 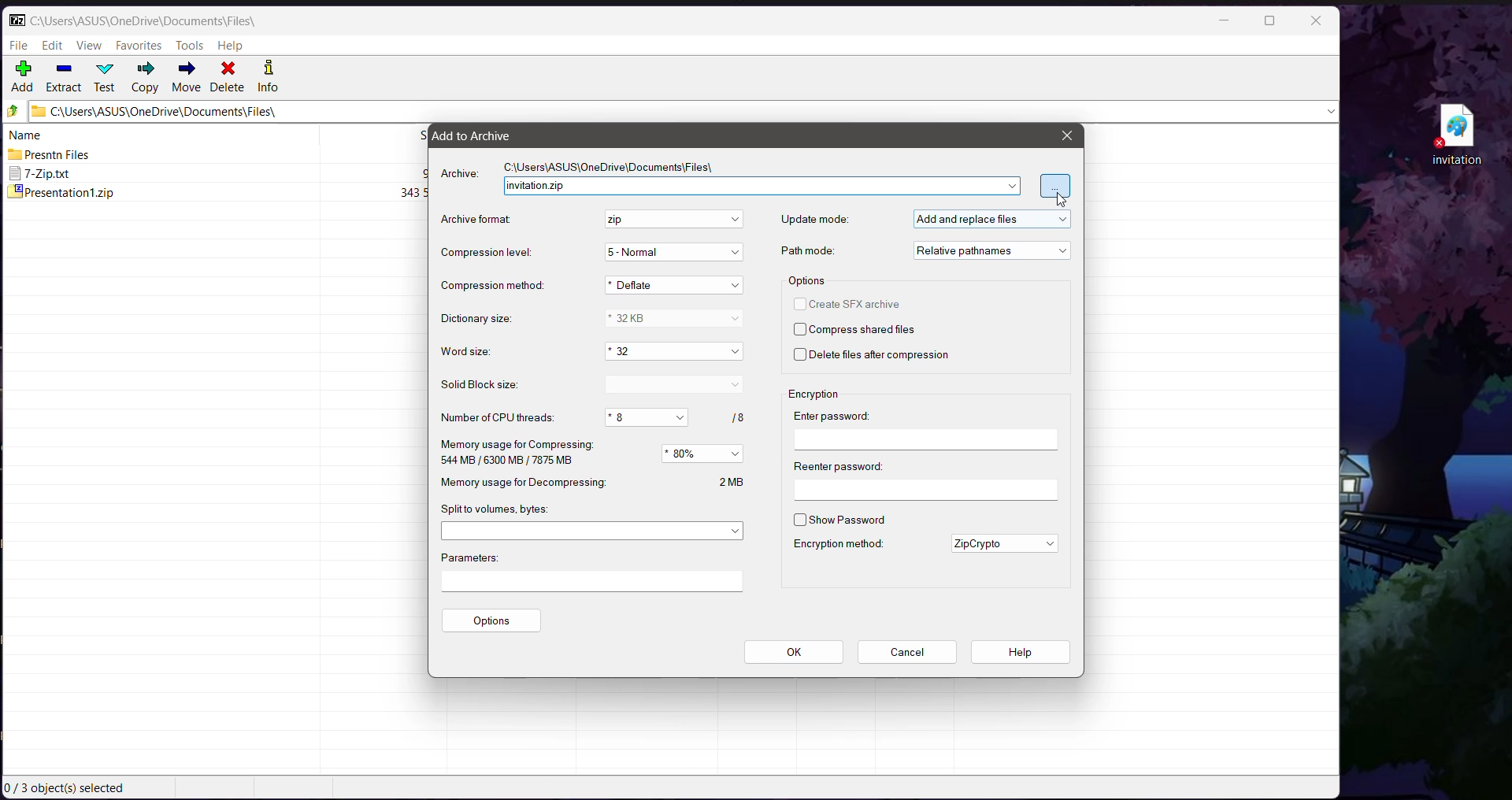 What do you see at coordinates (853, 303) in the screenshot?
I see `Create SFX archive - click to enable/disable` at bounding box center [853, 303].